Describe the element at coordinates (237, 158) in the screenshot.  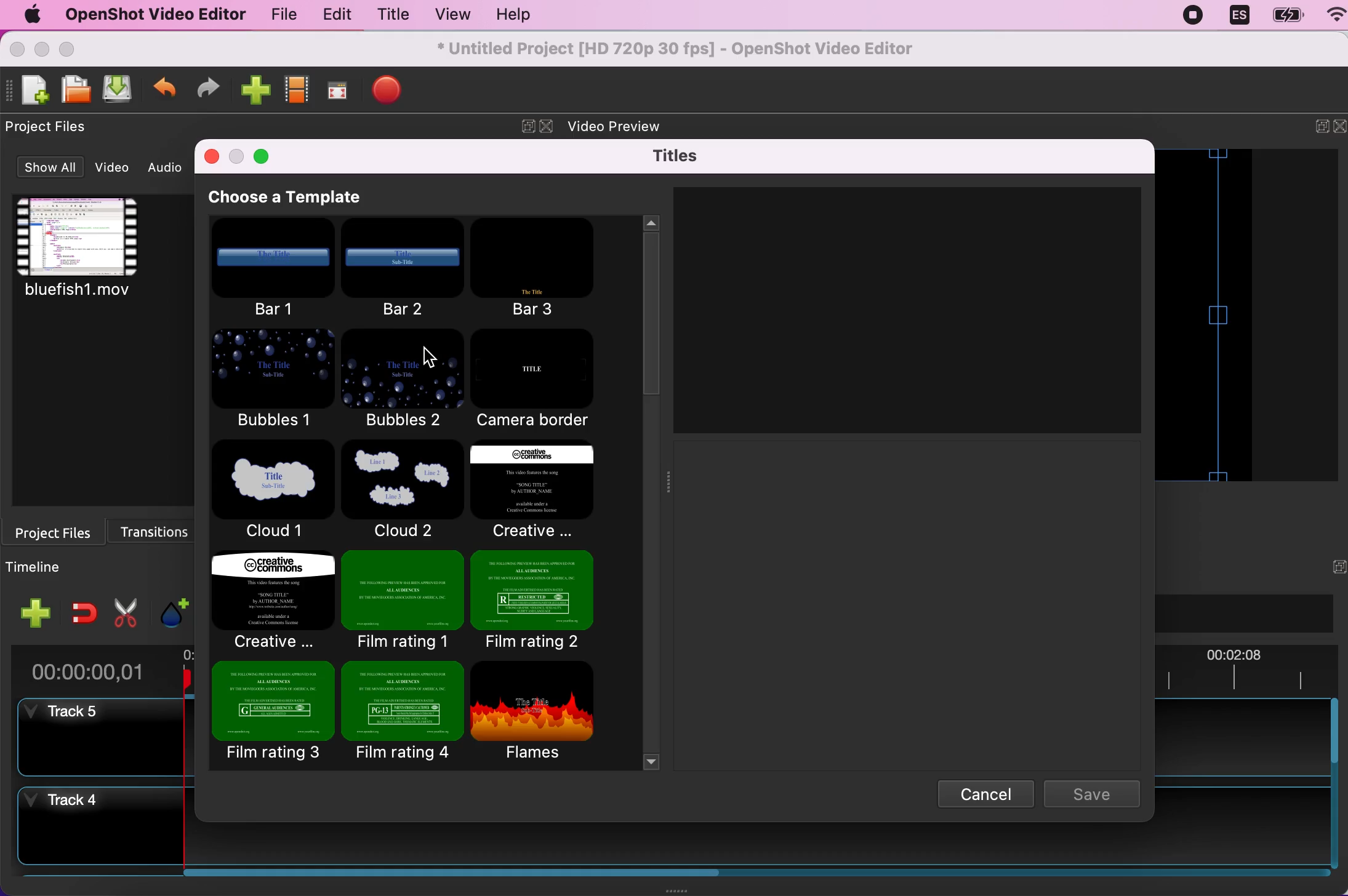
I see `minimize` at that location.